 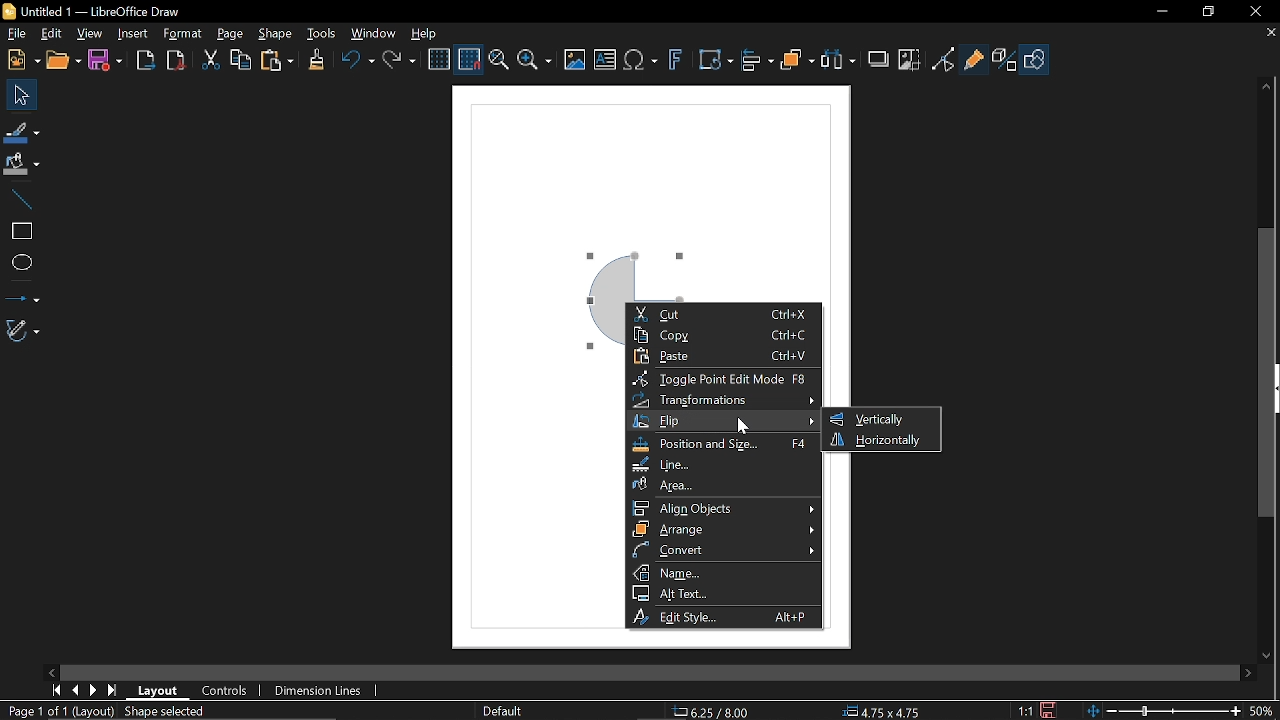 I want to click on Zoom, so click(x=534, y=59).